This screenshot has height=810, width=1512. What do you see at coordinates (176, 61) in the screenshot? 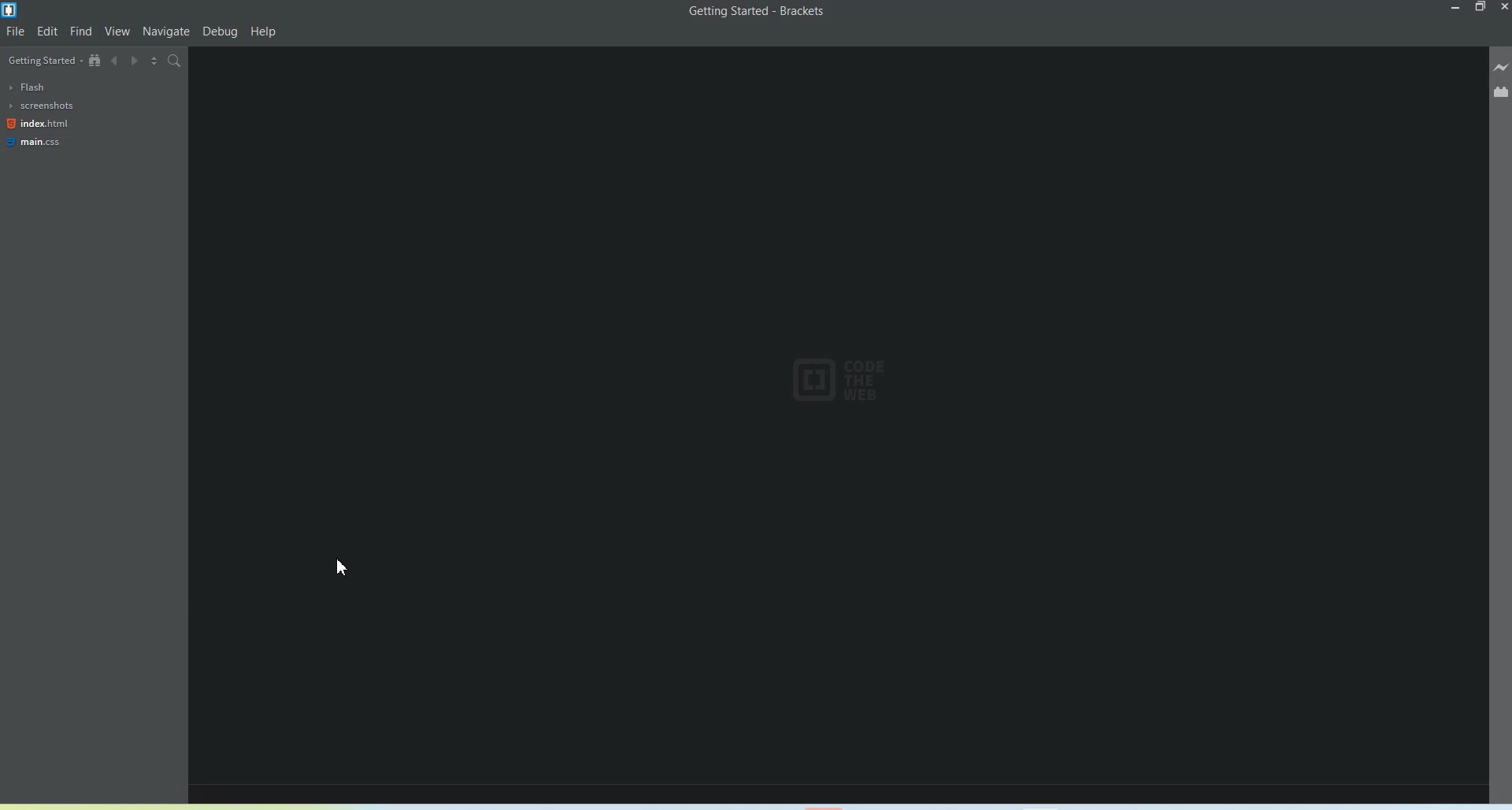
I see `Find in files` at bounding box center [176, 61].